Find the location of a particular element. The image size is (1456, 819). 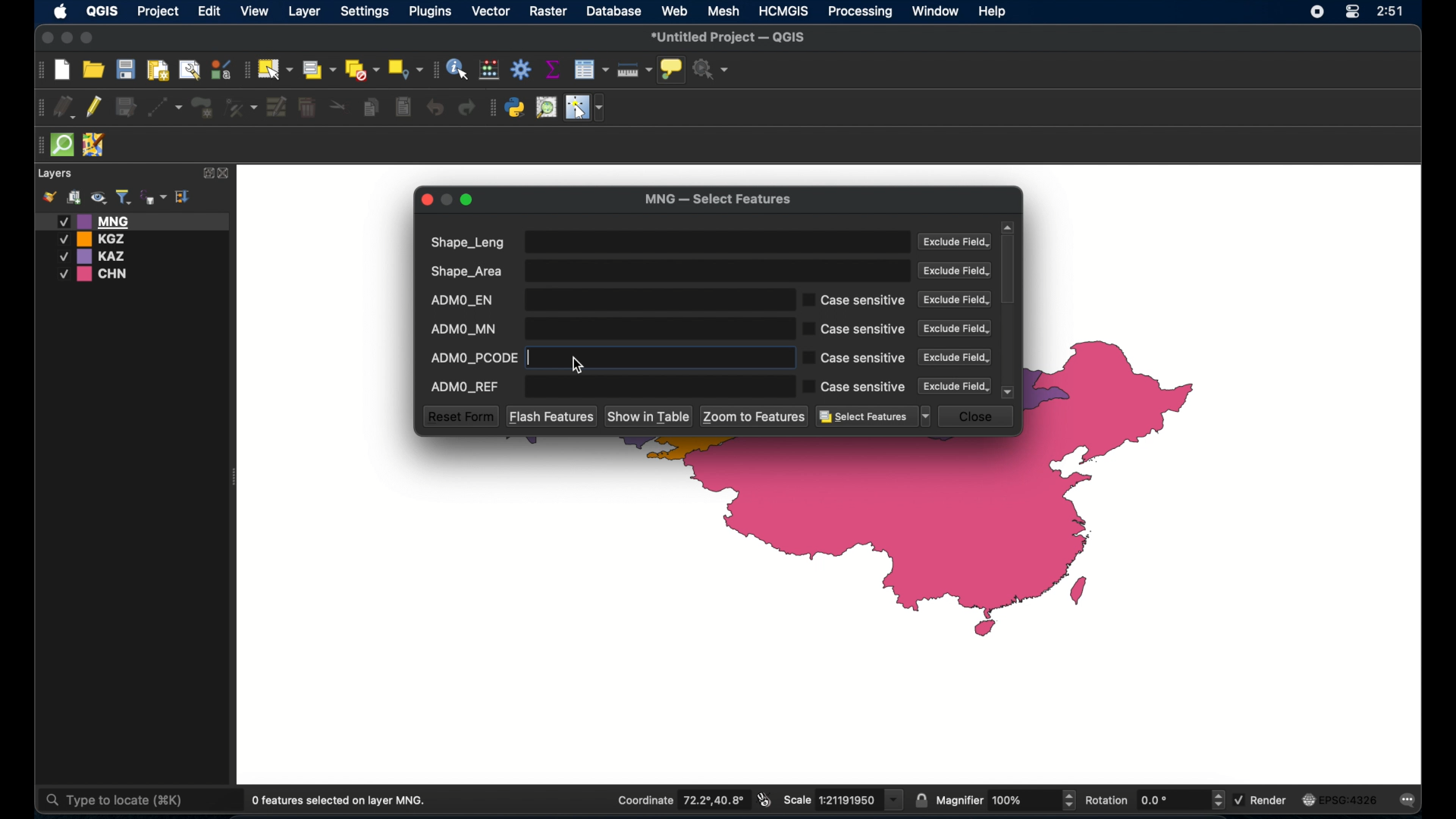

edit is located at coordinates (209, 12).